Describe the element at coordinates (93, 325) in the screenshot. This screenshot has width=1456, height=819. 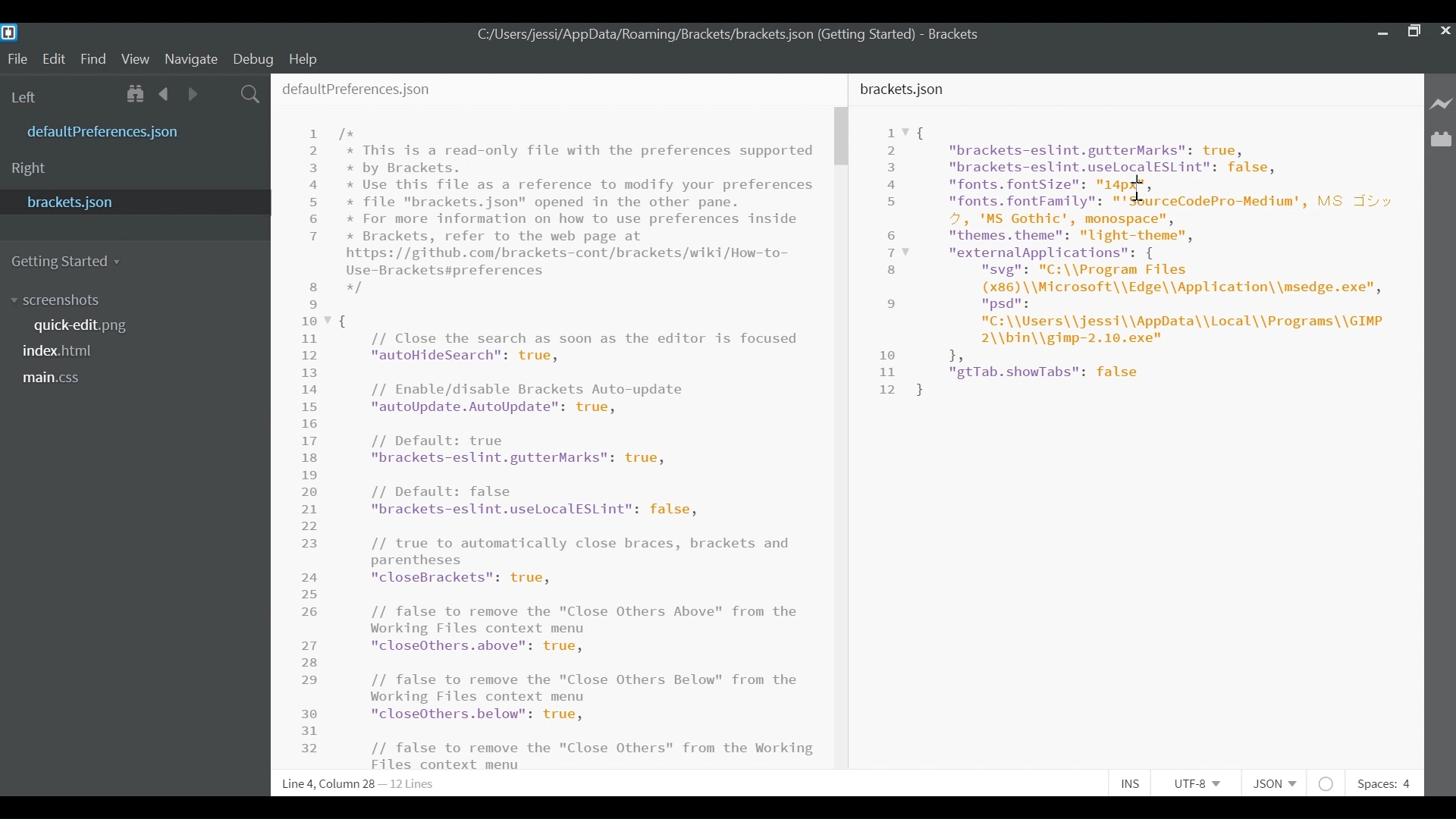
I see `quickedit.png` at that location.